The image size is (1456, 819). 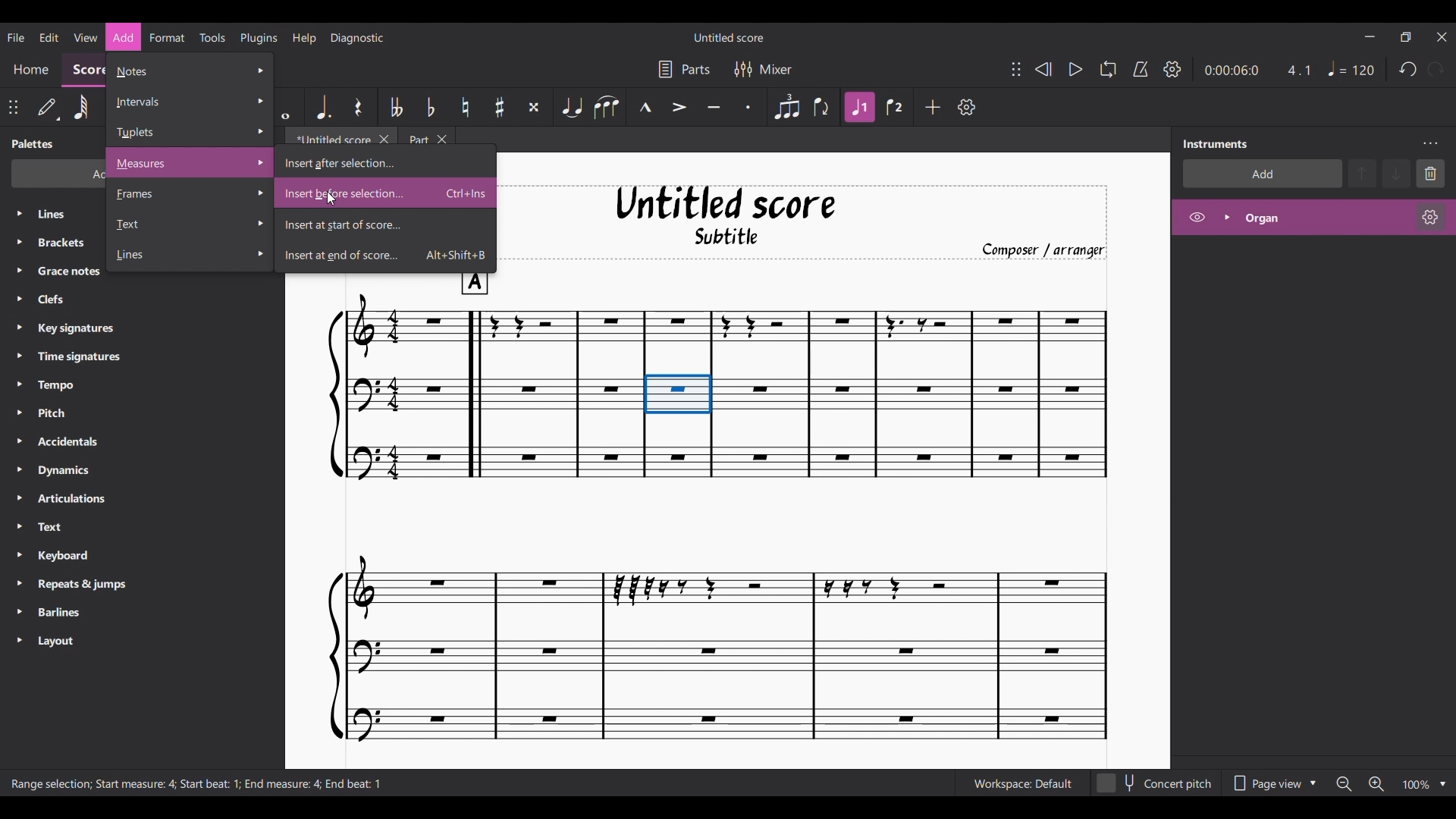 I want to click on Playback settings, so click(x=1172, y=69).